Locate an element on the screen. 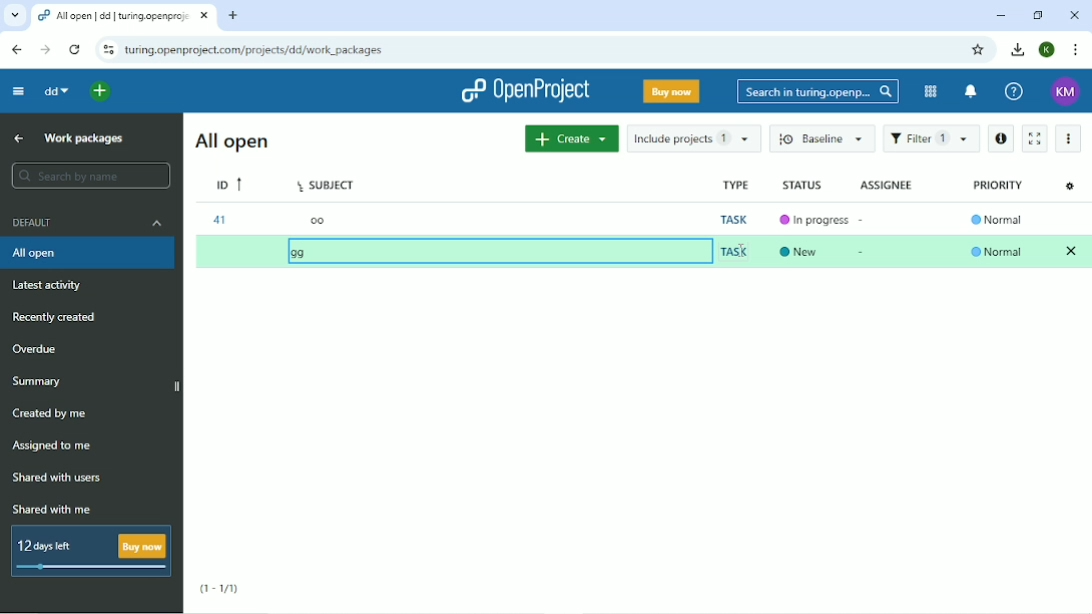 The image size is (1092, 614). Default is located at coordinates (88, 225).